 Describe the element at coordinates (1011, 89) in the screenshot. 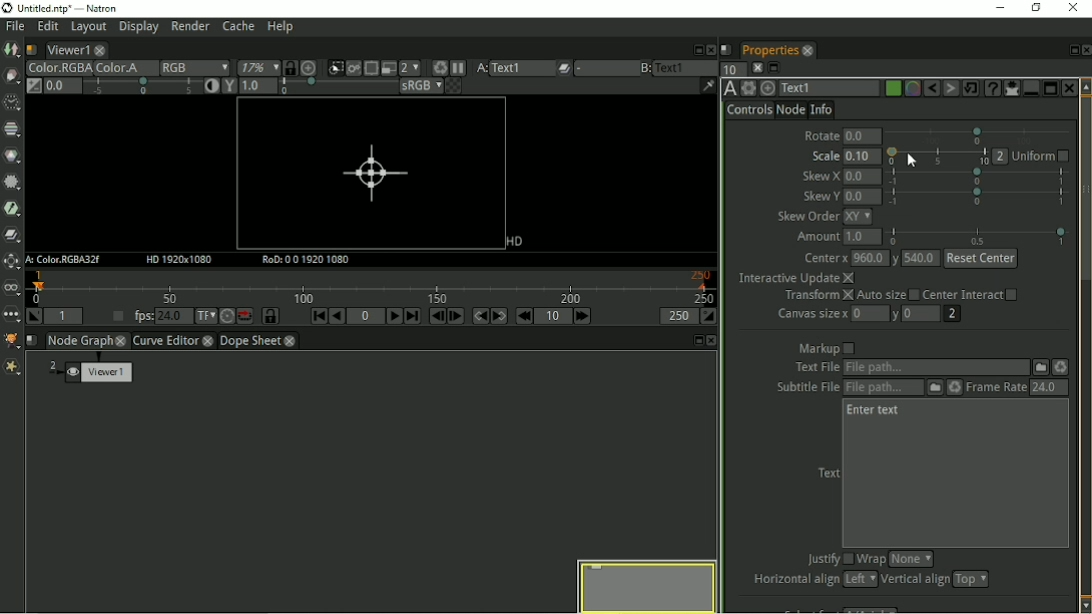

I see `Show/hide all parameters` at that location.